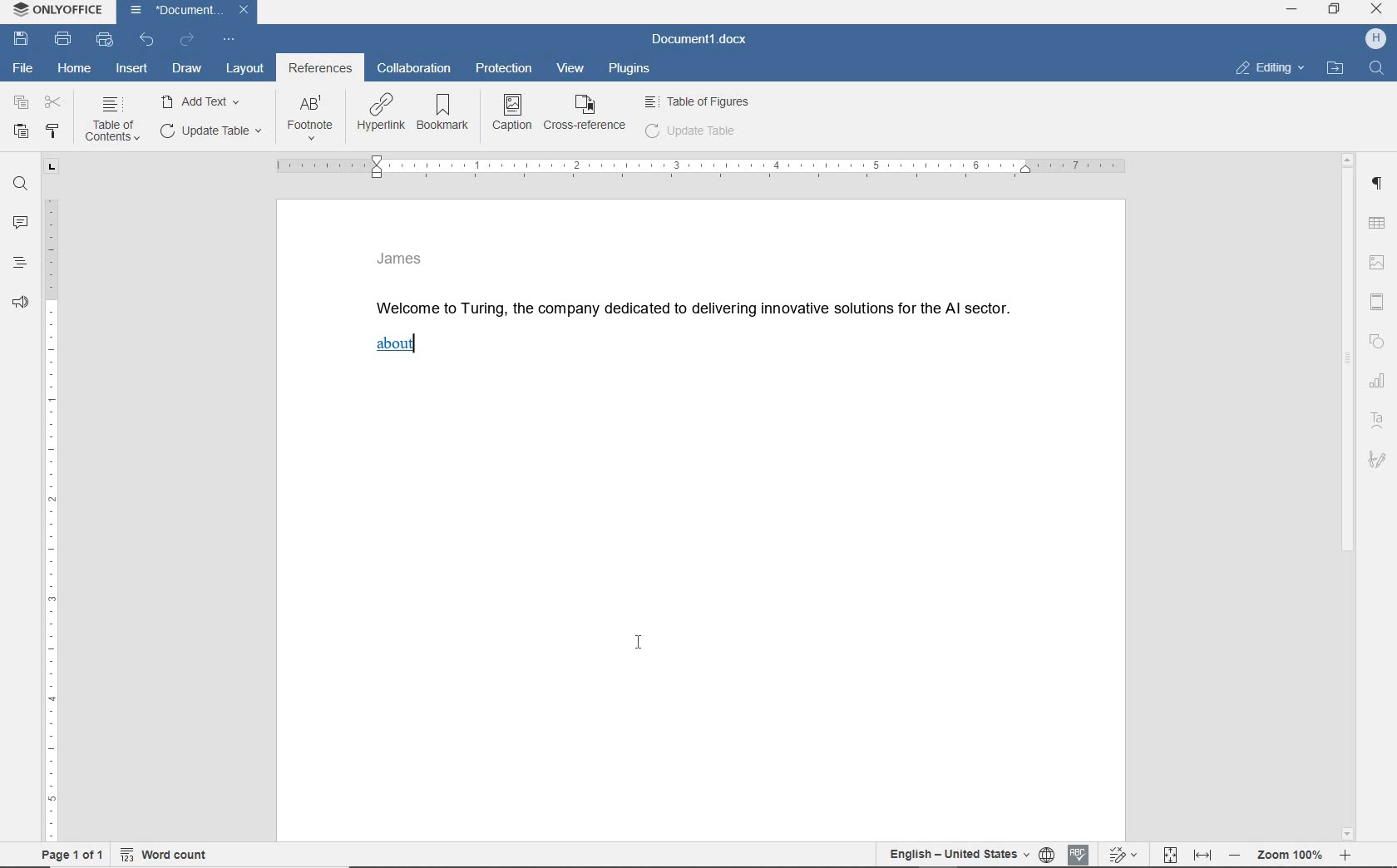 The width and height of the screenshot is (1397, 868). What do you see at coordinates (631, 72) in the screenshot?
I see `plugins` at bounding box center [631, 72].